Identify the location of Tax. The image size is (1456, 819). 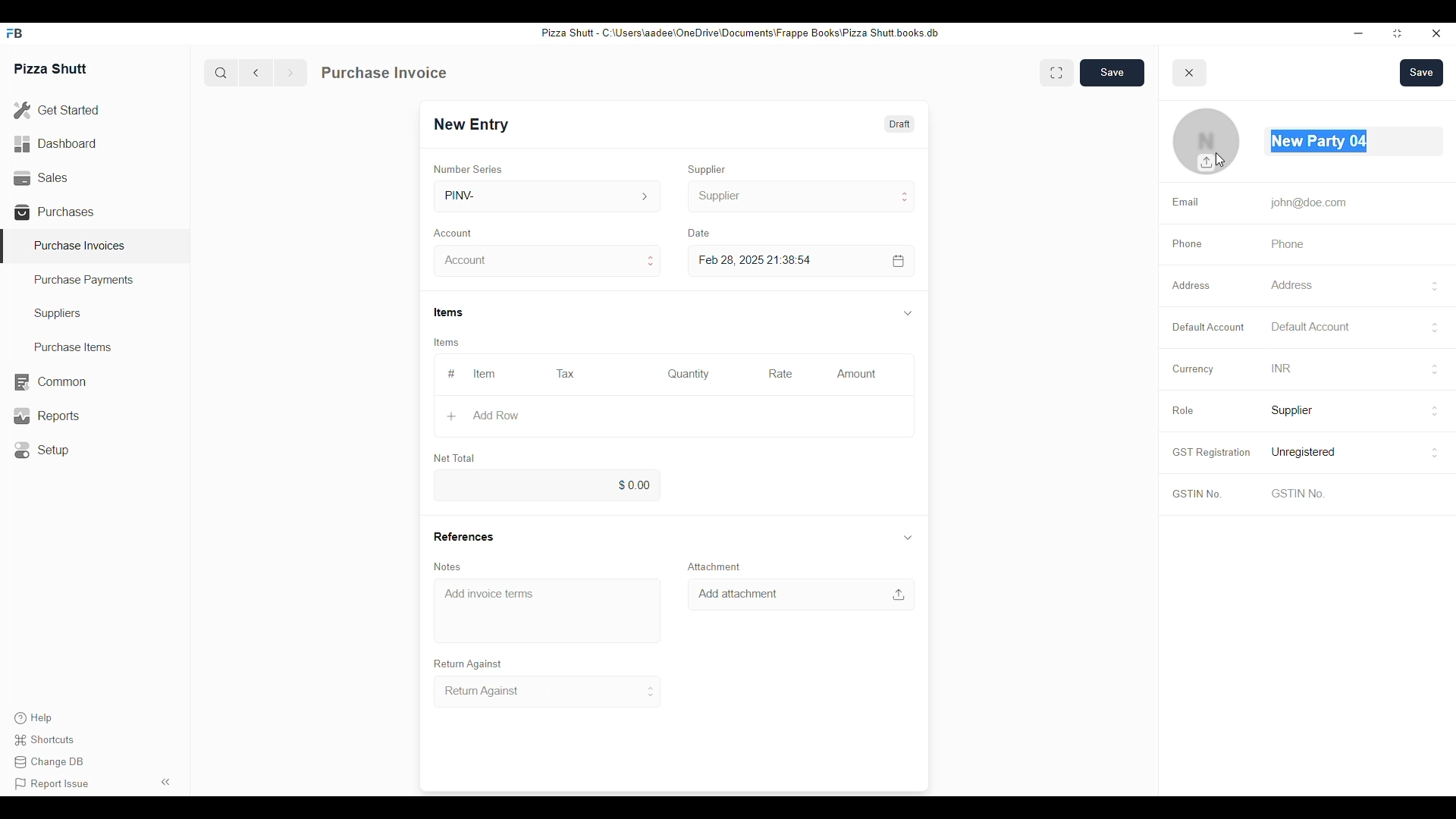
(564, 373).